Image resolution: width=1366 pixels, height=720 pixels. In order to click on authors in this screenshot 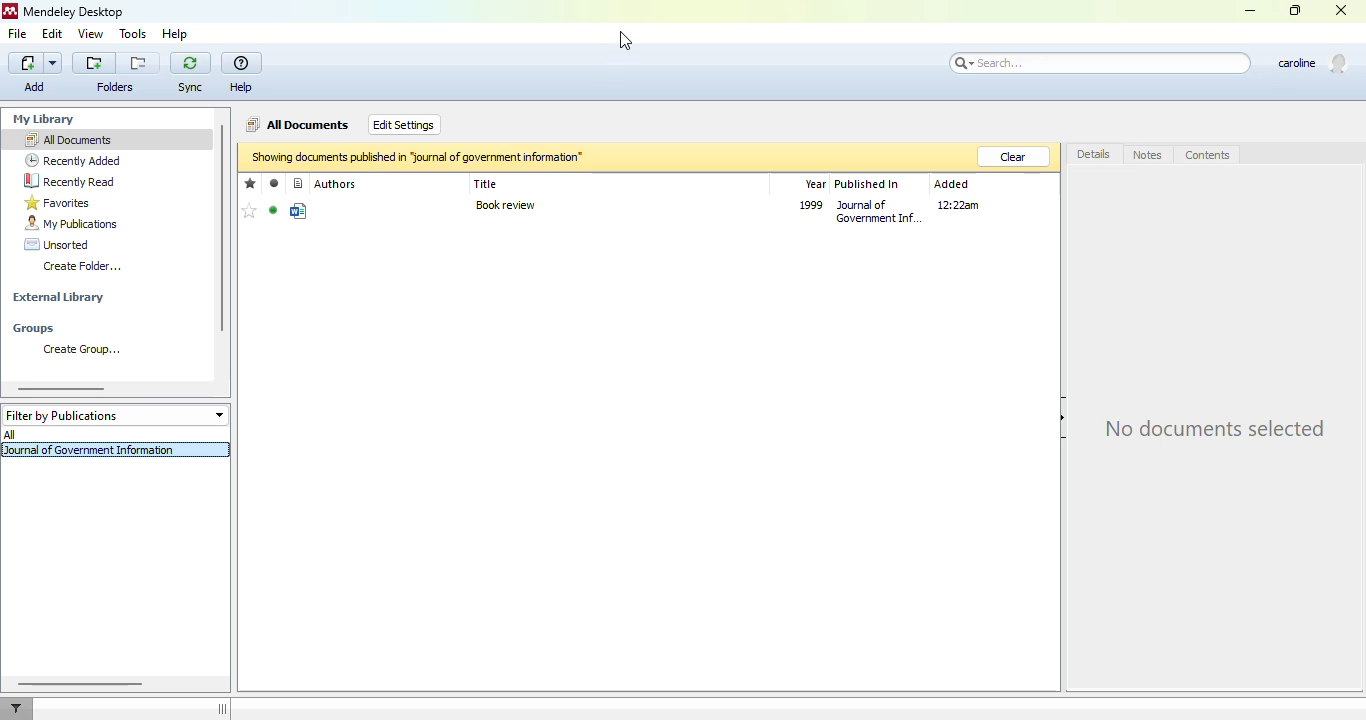, I will do `click(337, 183)`.